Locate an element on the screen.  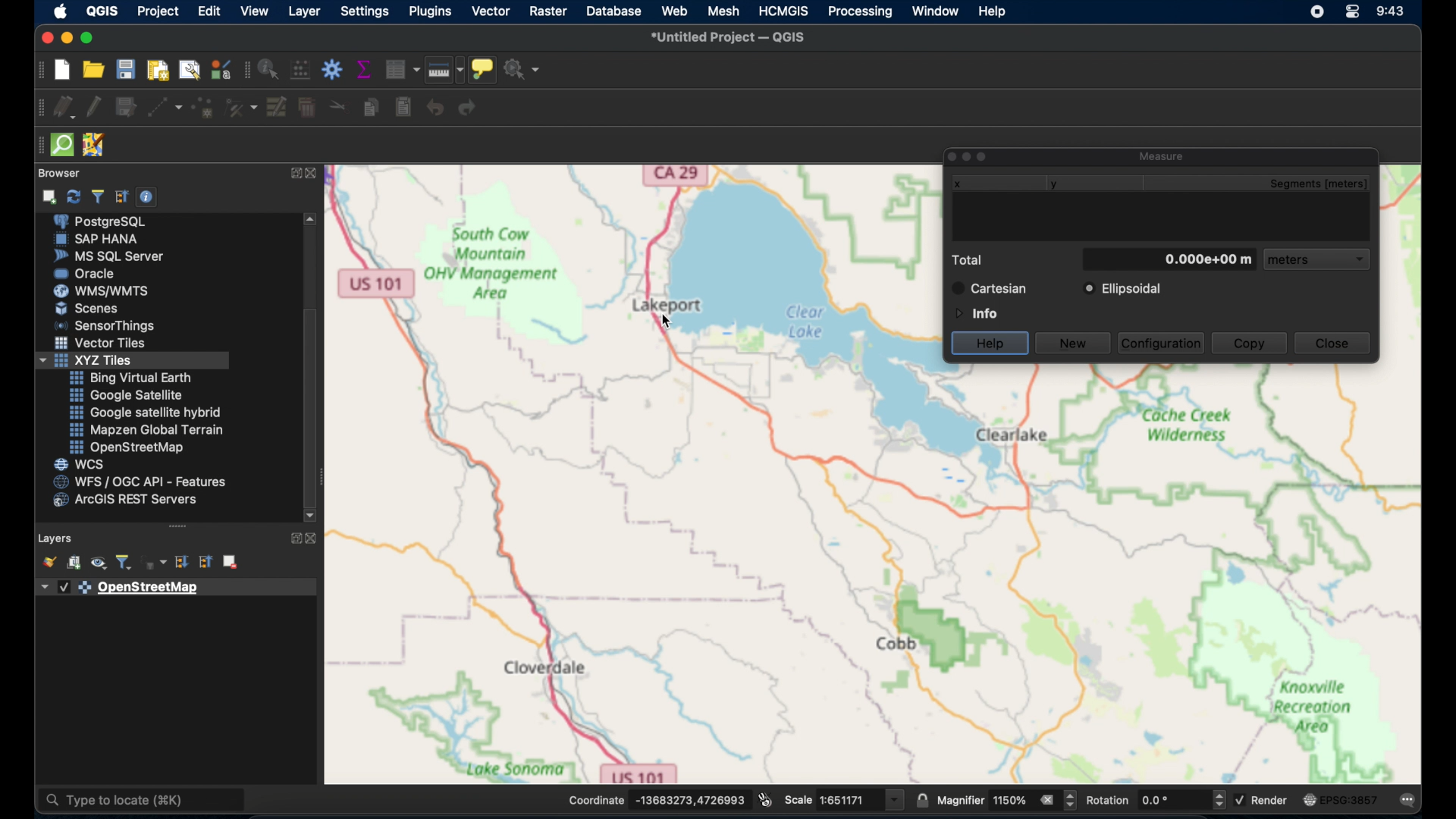
measure line is located at coordinates (444, 70).